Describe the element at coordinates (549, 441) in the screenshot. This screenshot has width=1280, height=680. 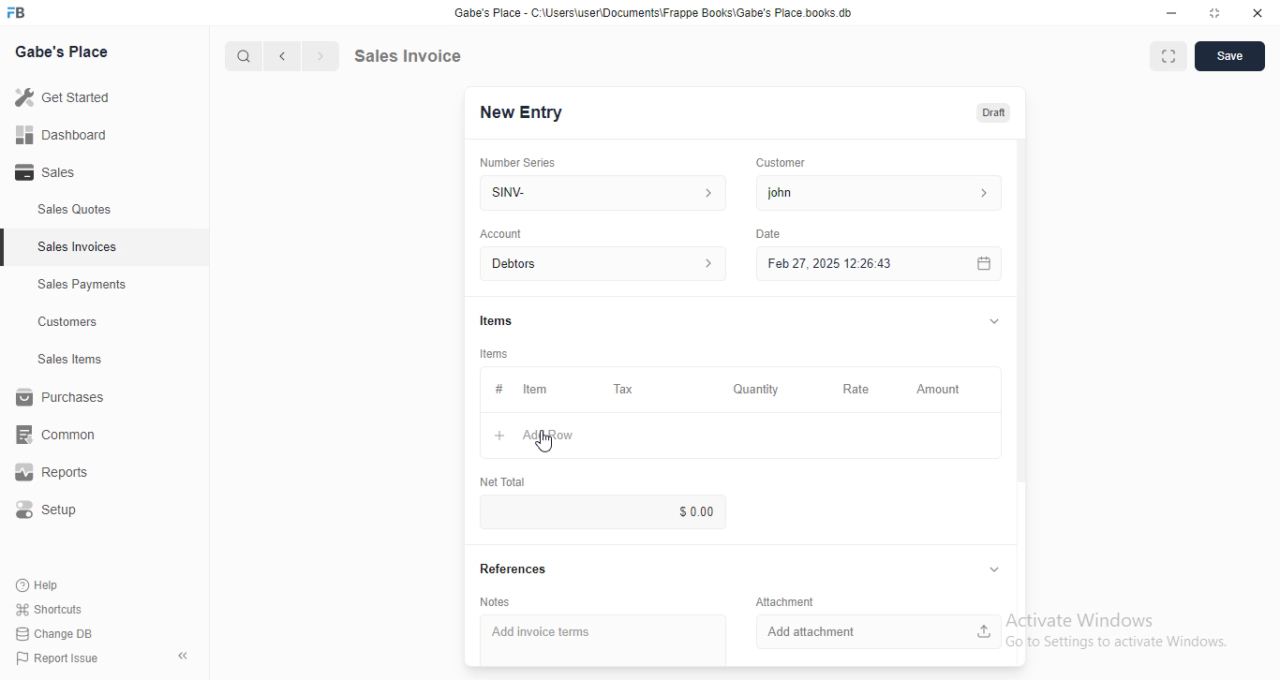
I see `Cursor` at that location.